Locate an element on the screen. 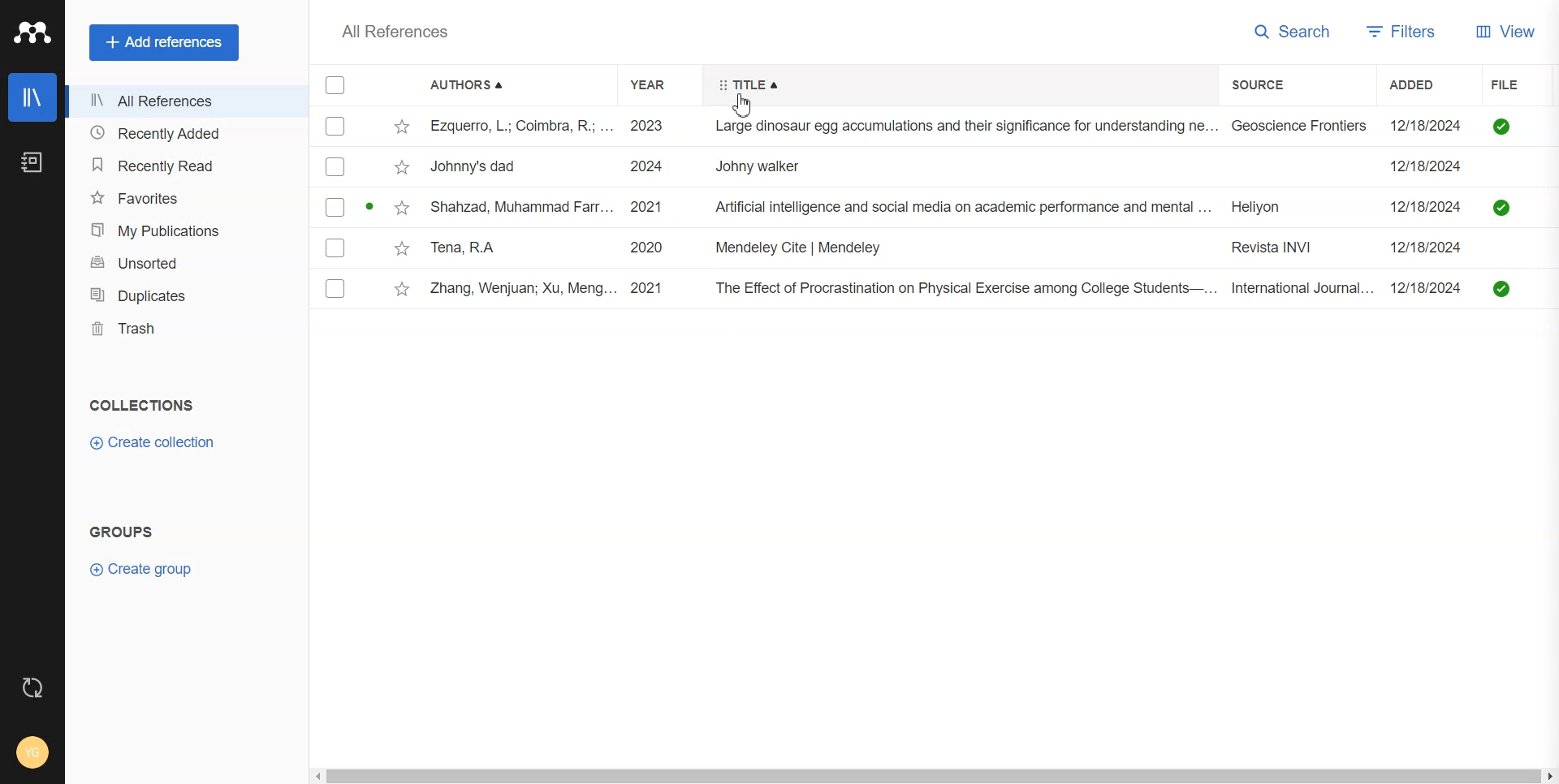  mark as star is located at coordinates (401, 248).